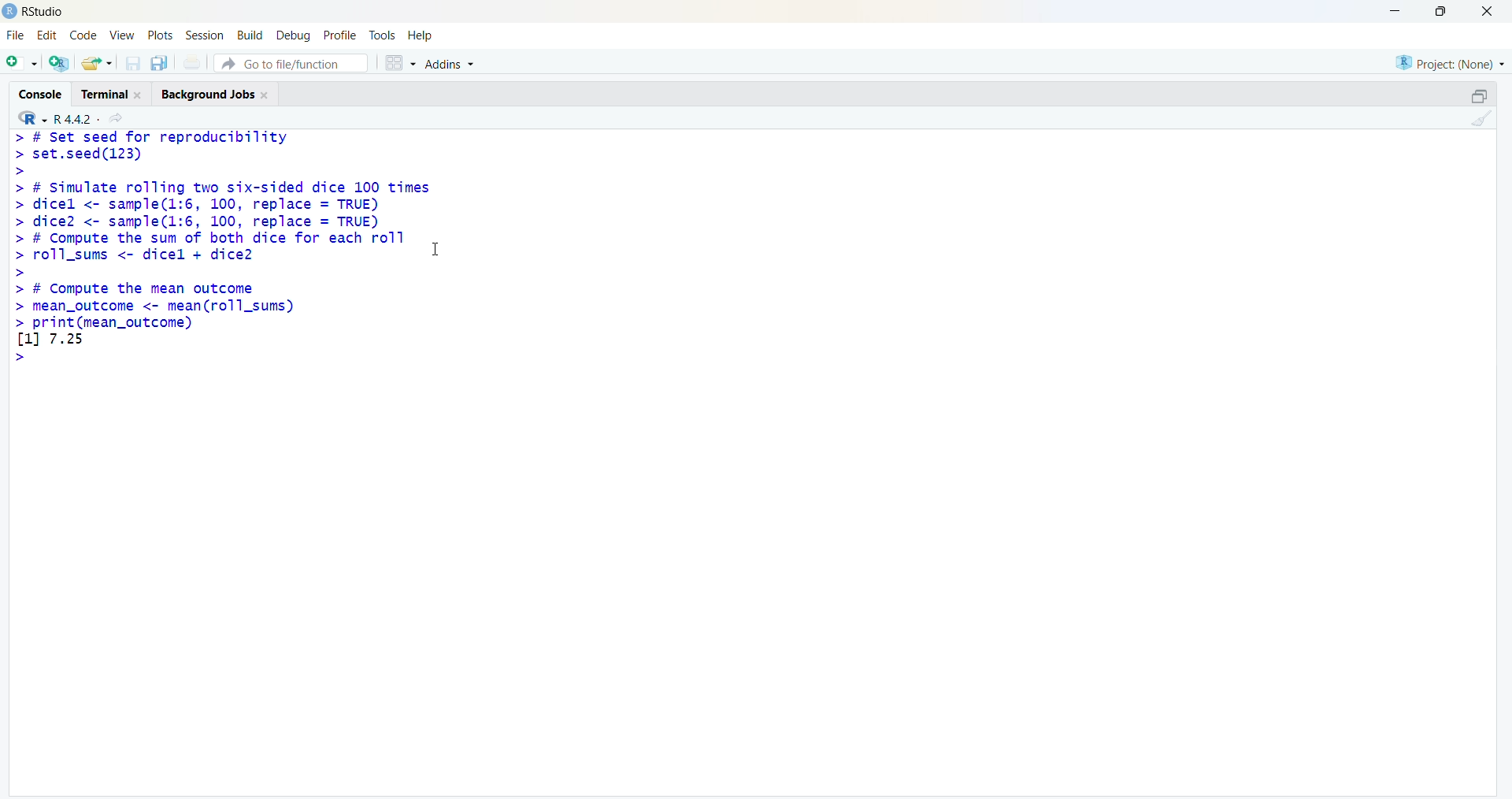 The width and height of the screenshot is (1512, 799). What do you see at coordinates (104, 95) in the screenshot?
I see `terminal` at bounding box center [104, 95].